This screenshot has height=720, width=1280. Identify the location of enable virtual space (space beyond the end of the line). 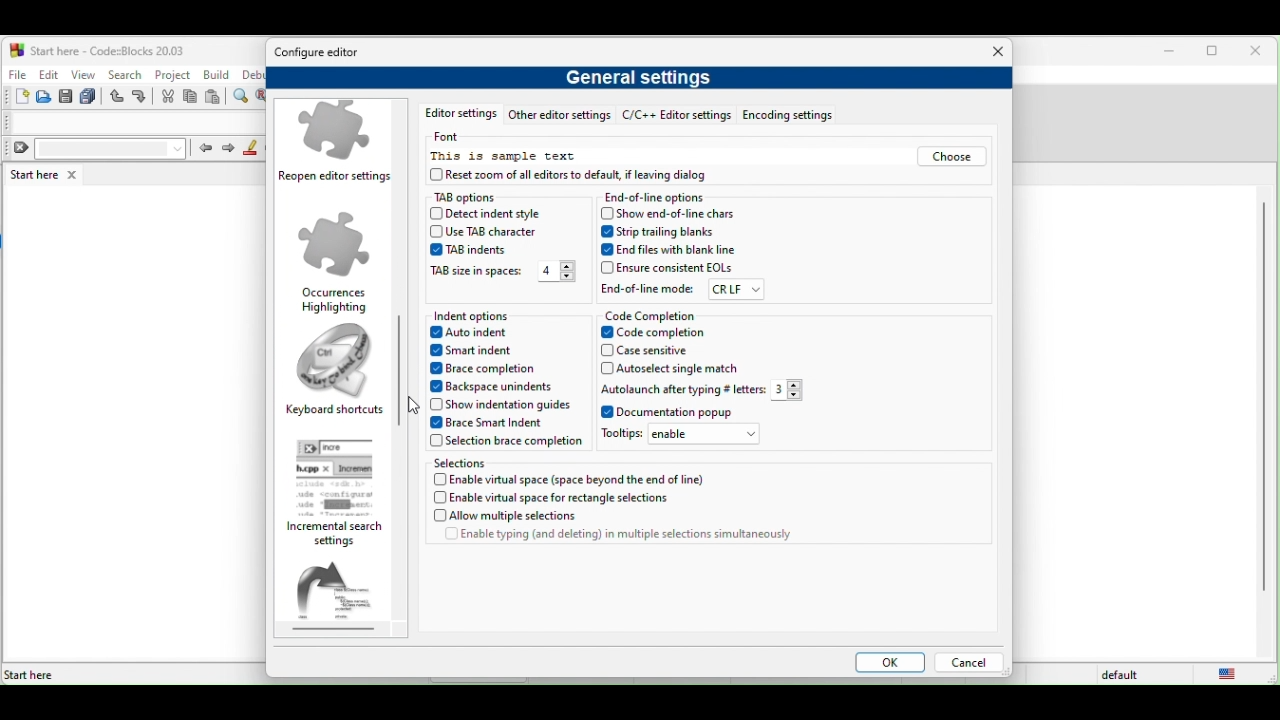
(573, 479).